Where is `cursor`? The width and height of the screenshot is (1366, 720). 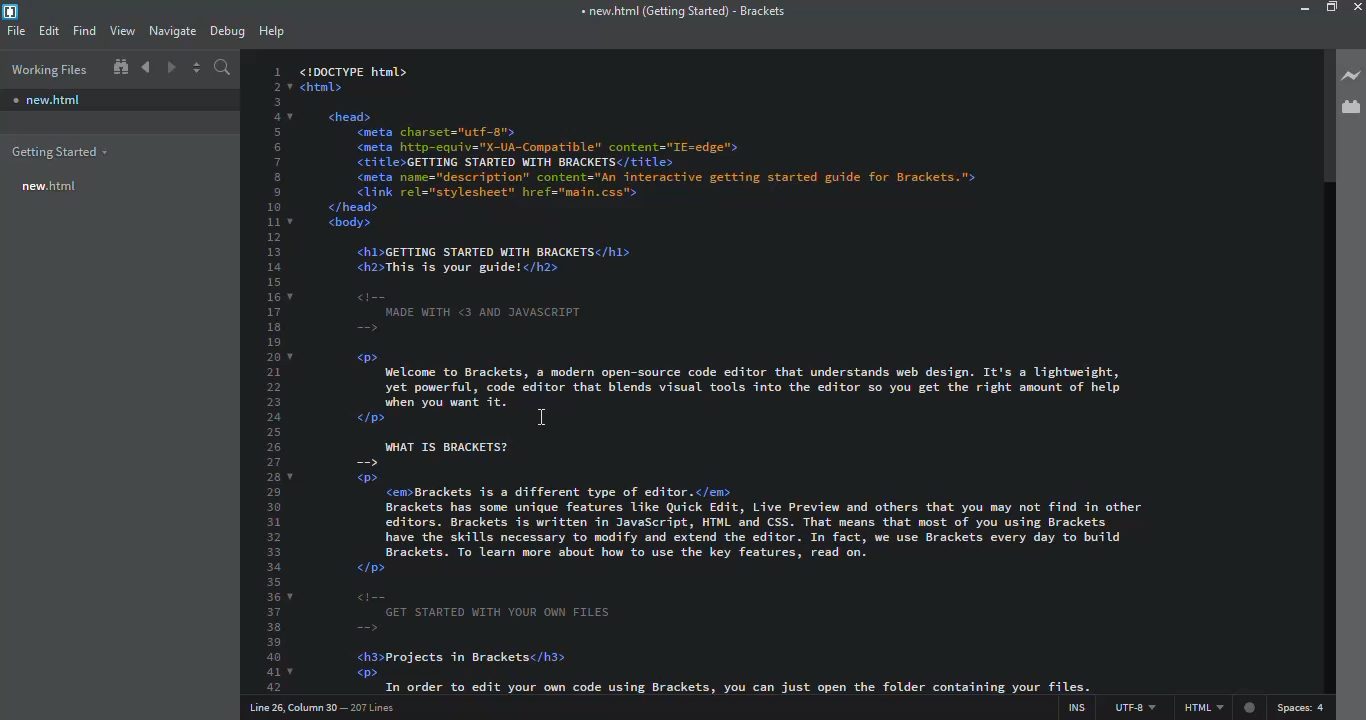
cursor is located at coordinates (530, 417).